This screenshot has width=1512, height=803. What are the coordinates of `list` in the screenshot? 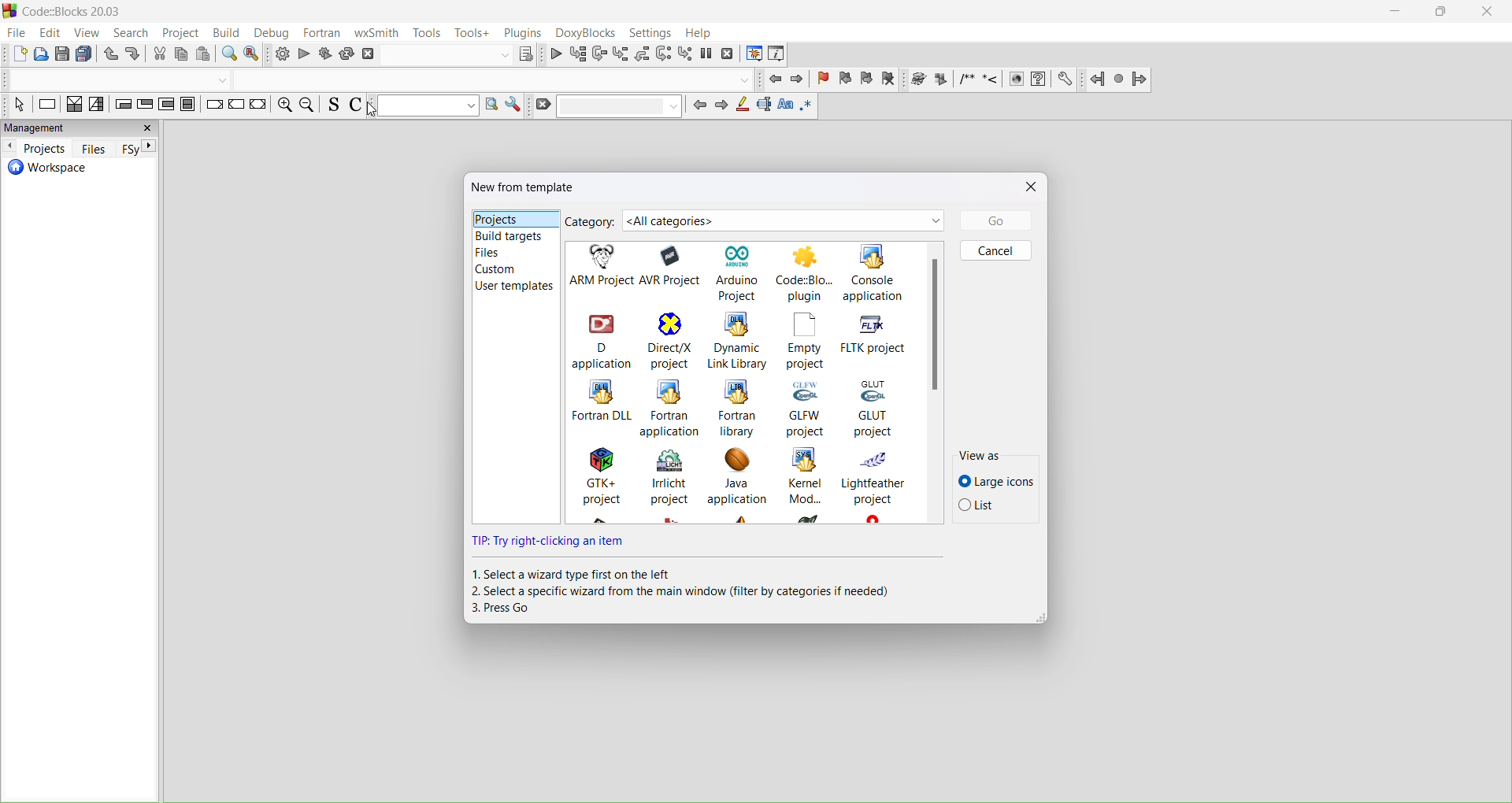 It's located at (993, 509).